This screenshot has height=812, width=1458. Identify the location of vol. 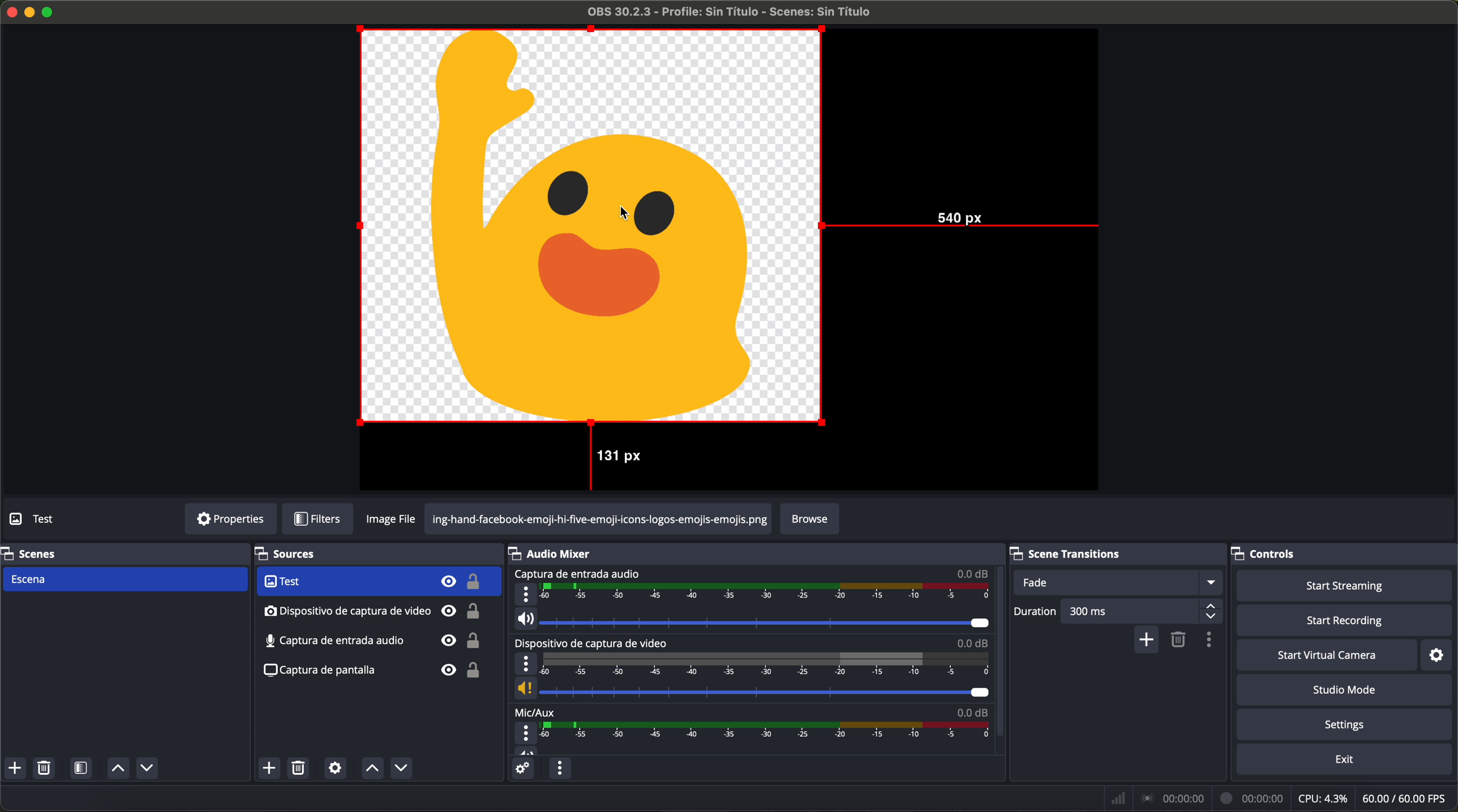
(526, 750).